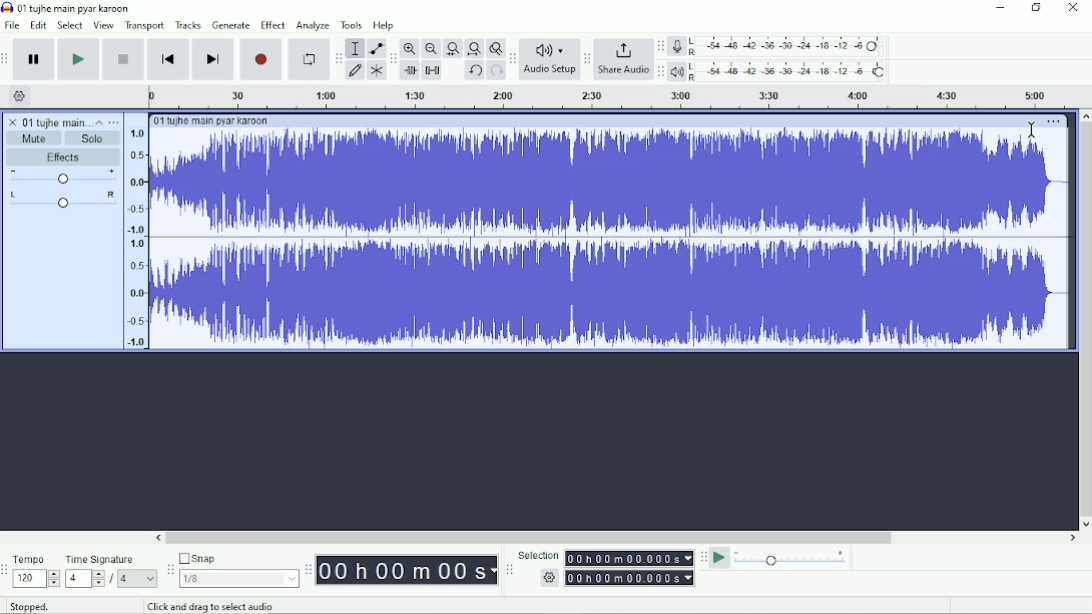 The image size is (1092, 614). Describe the element at coordinates (376, 70) in the screenshot. I see `Multi-tool` at that location.